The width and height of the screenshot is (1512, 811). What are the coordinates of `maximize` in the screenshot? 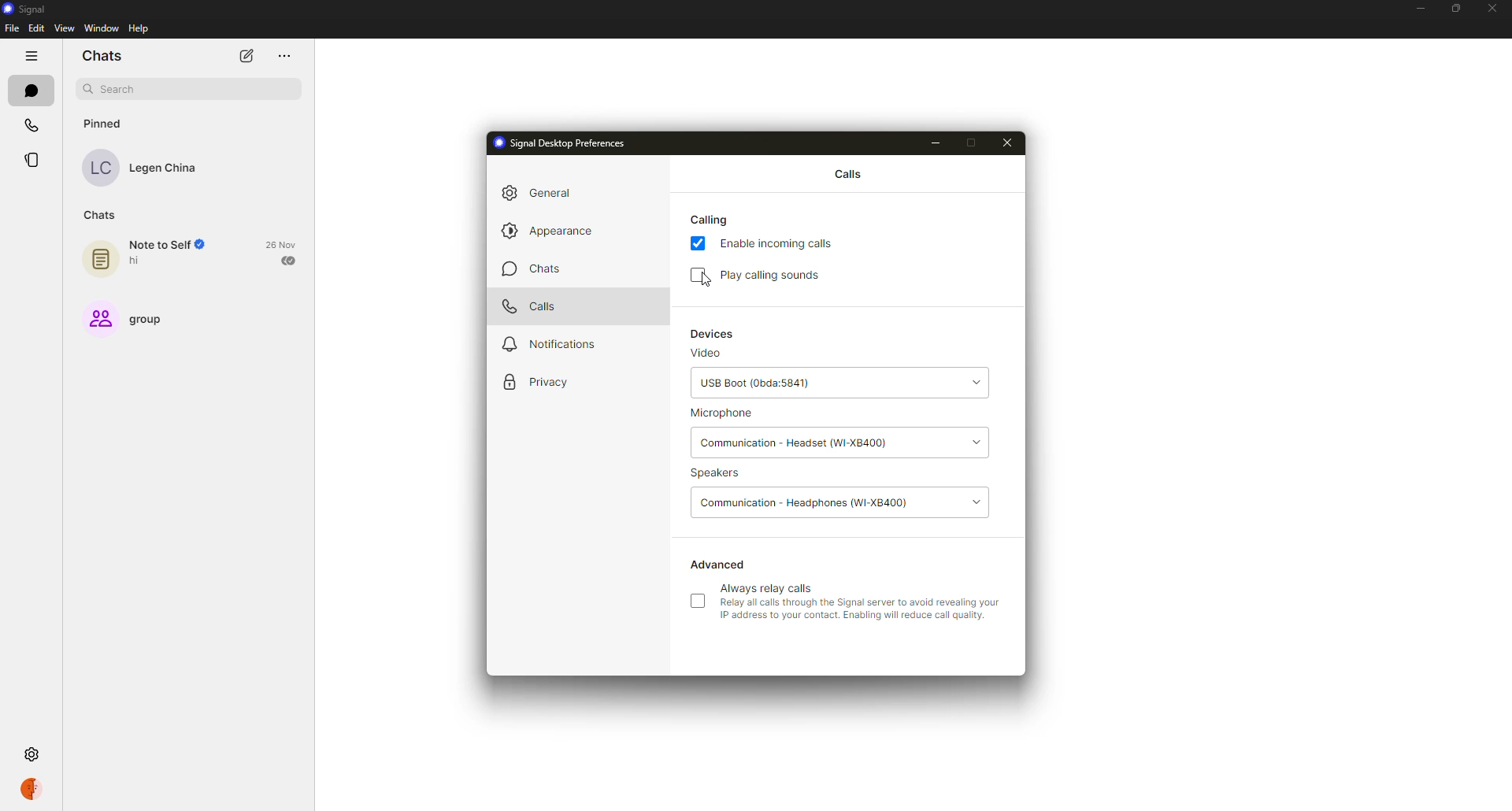 It's located at (1455, 9).